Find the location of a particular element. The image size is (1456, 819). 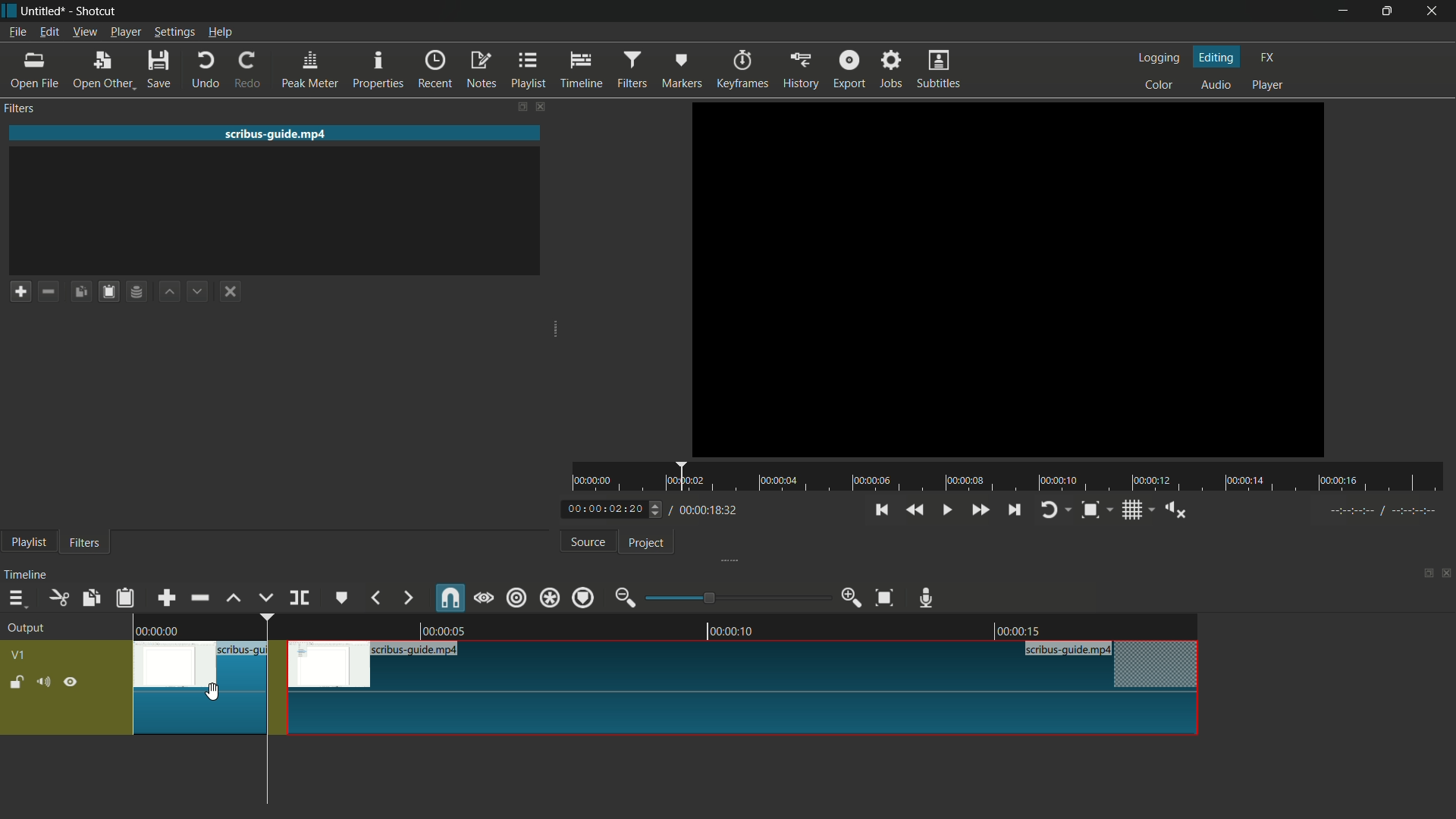

open other is located at coordinates (103, 70).